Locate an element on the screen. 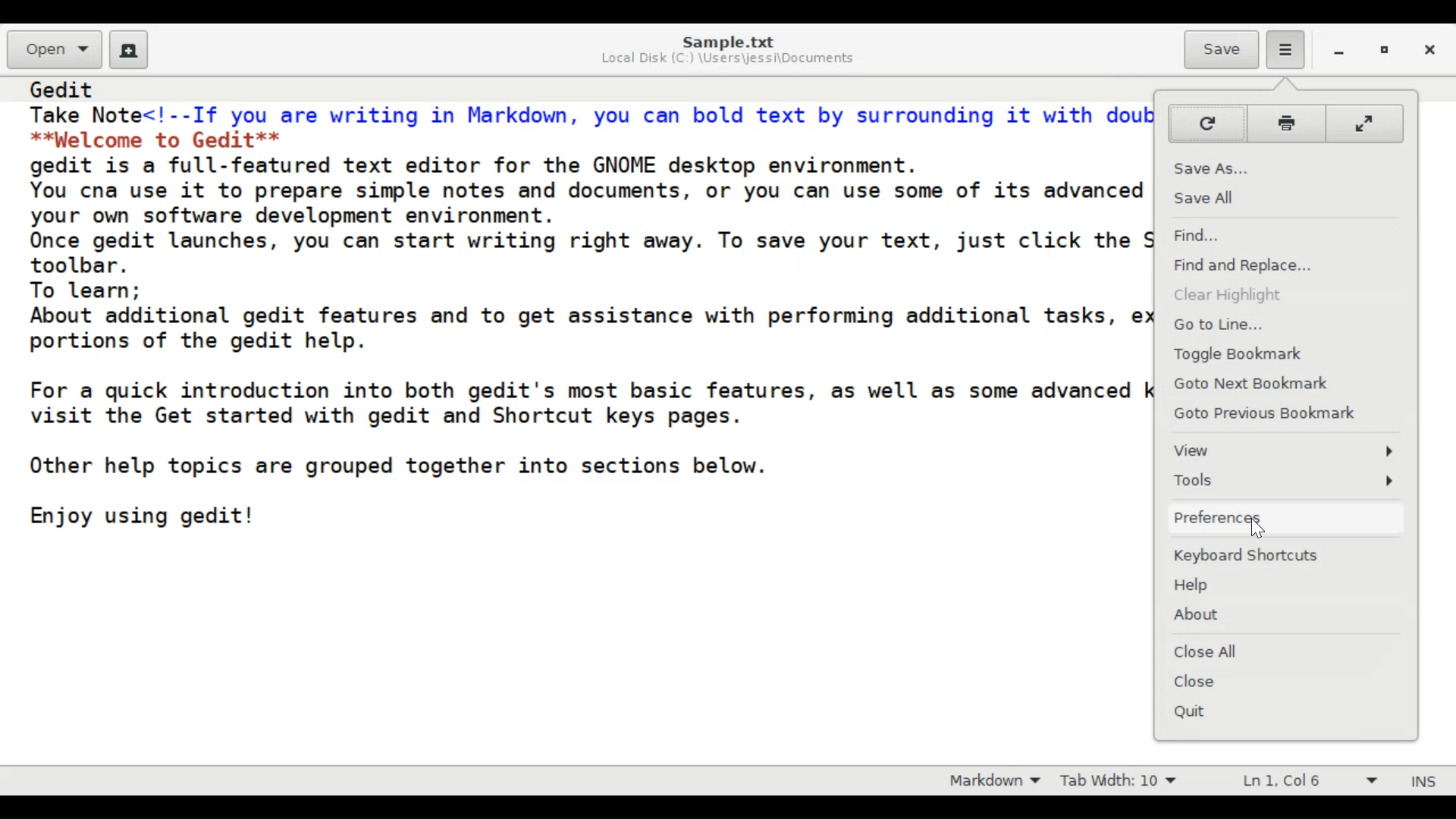 The image size is (1456, 819). Gedit

Take Note<!--If you are writing in Markdown, you can bold text by surrounding it with double asterisks:-->
**Welcome to Gedit**

gedit is a full-featured text editor for the GNOME desktop environment.

You cna use it to prepare simple notes and documents, or you can use some of its advanced features, making it
your own software development environment.

Once gedit launches, you can start writing right away. To save your text, just click the Save icon in the gedit
toolbar.

To learn;

About additional gedit features and to get assistance with performing additional tasks, explore the other
portions of the gedit help.

For a quick introduction into both gedit's most basic features, as well as some advanced keyboard shortcuts,
visit the Get started with gedit and Shortcut keys pages.

Other help topics are grouped together into sections below.

Enjoy using gedit! is located at coordinates (584, 313).